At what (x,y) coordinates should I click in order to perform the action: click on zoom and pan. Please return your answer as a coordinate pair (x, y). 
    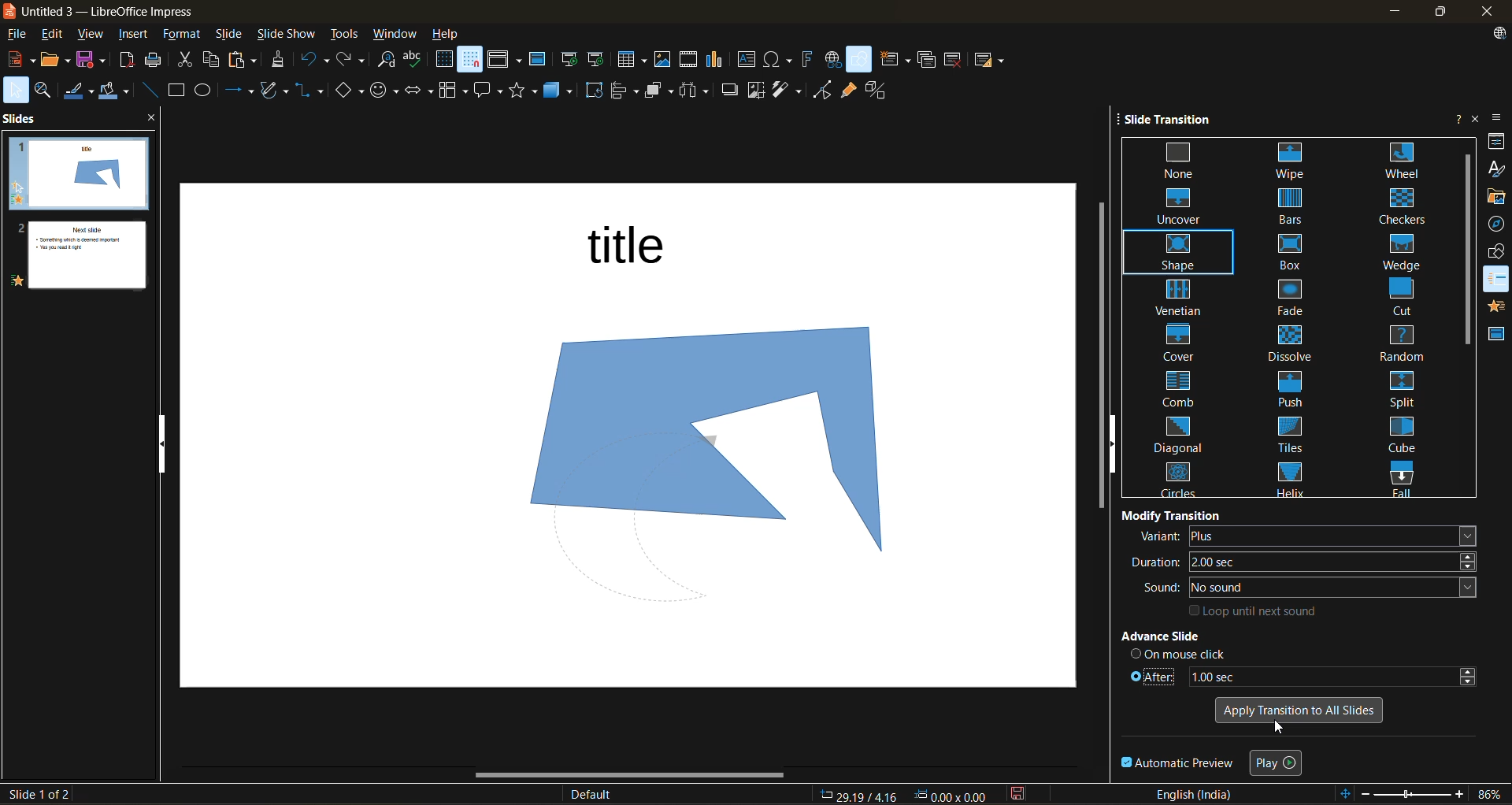
    Looking at the image, I should click on (46, 91).